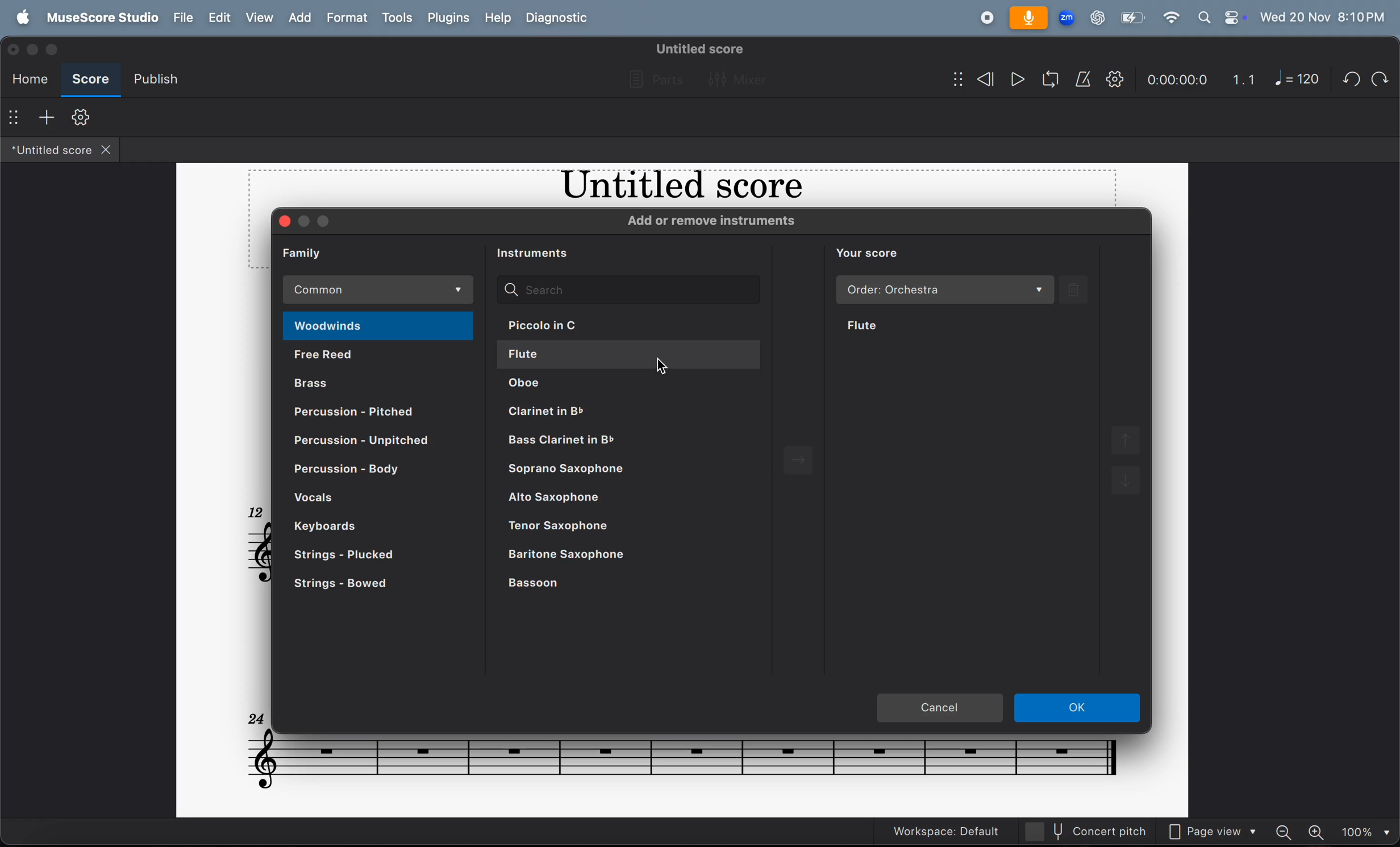 The image size is (1400, 847). What do you see at coordinates (381, 383) in the screenshot?
I see `brass` at bounding box center [381, 383].